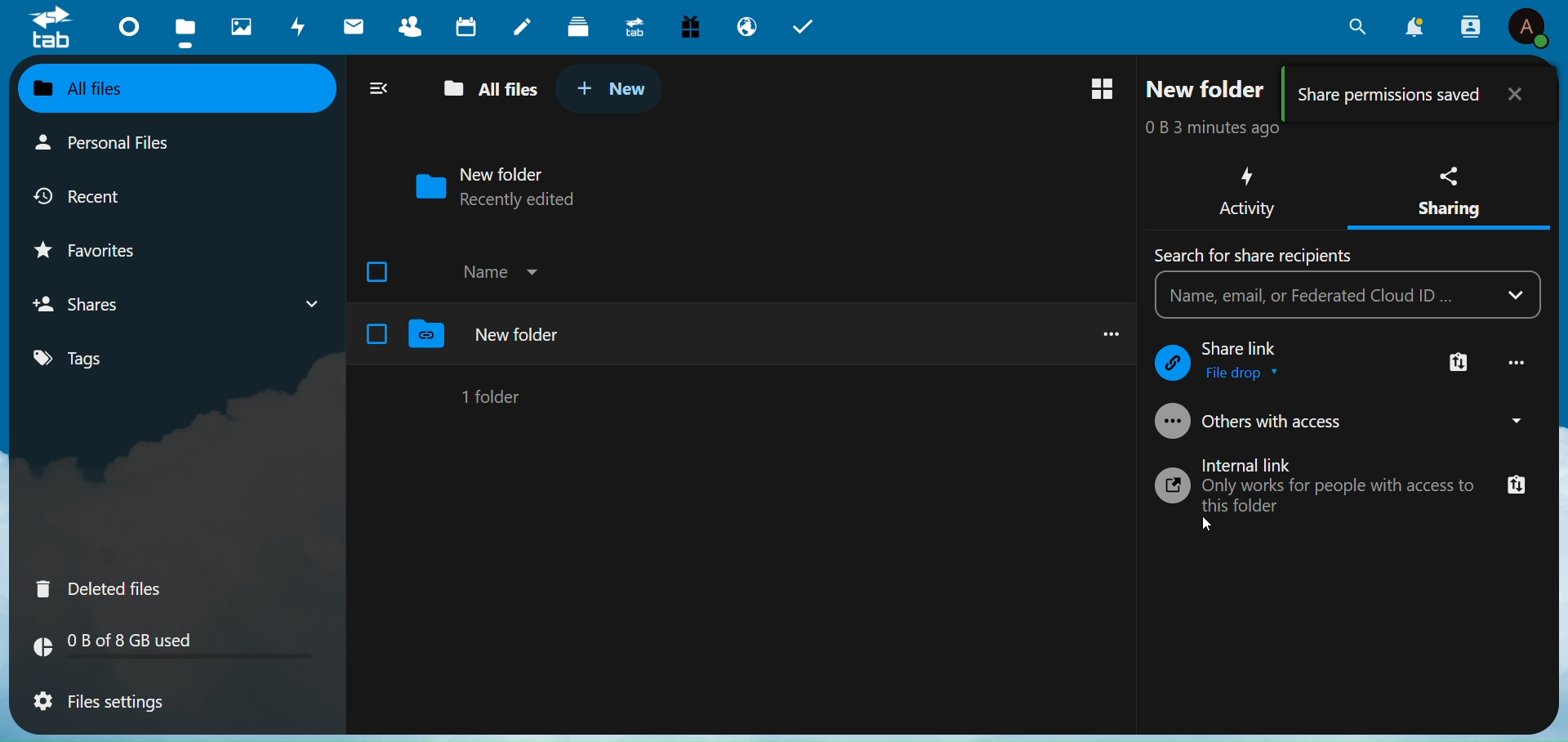  Describe the element at coordinates (1519, 362) in the screenshot. I see `More Option` at that location.